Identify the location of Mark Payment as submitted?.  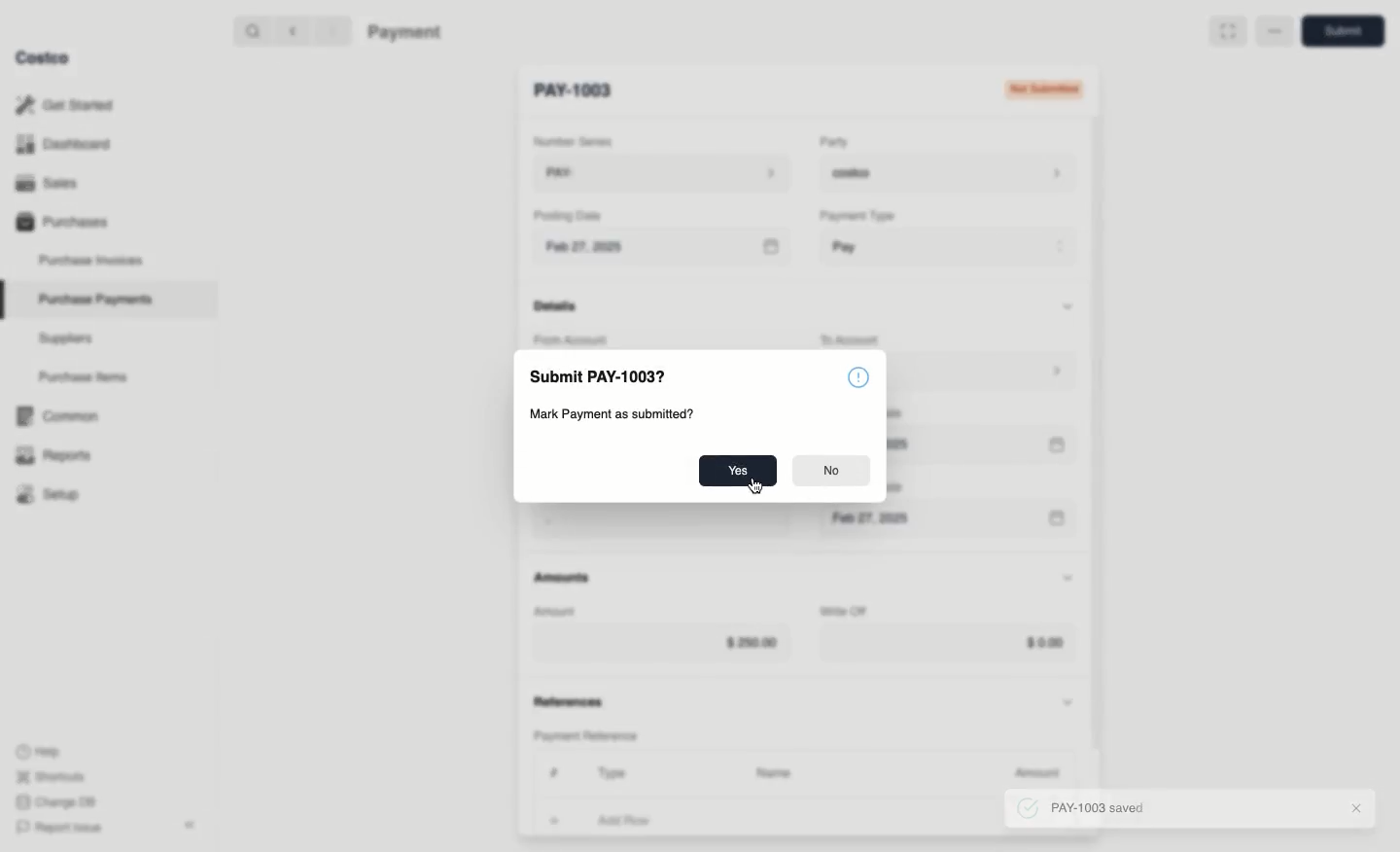
(620, 417).